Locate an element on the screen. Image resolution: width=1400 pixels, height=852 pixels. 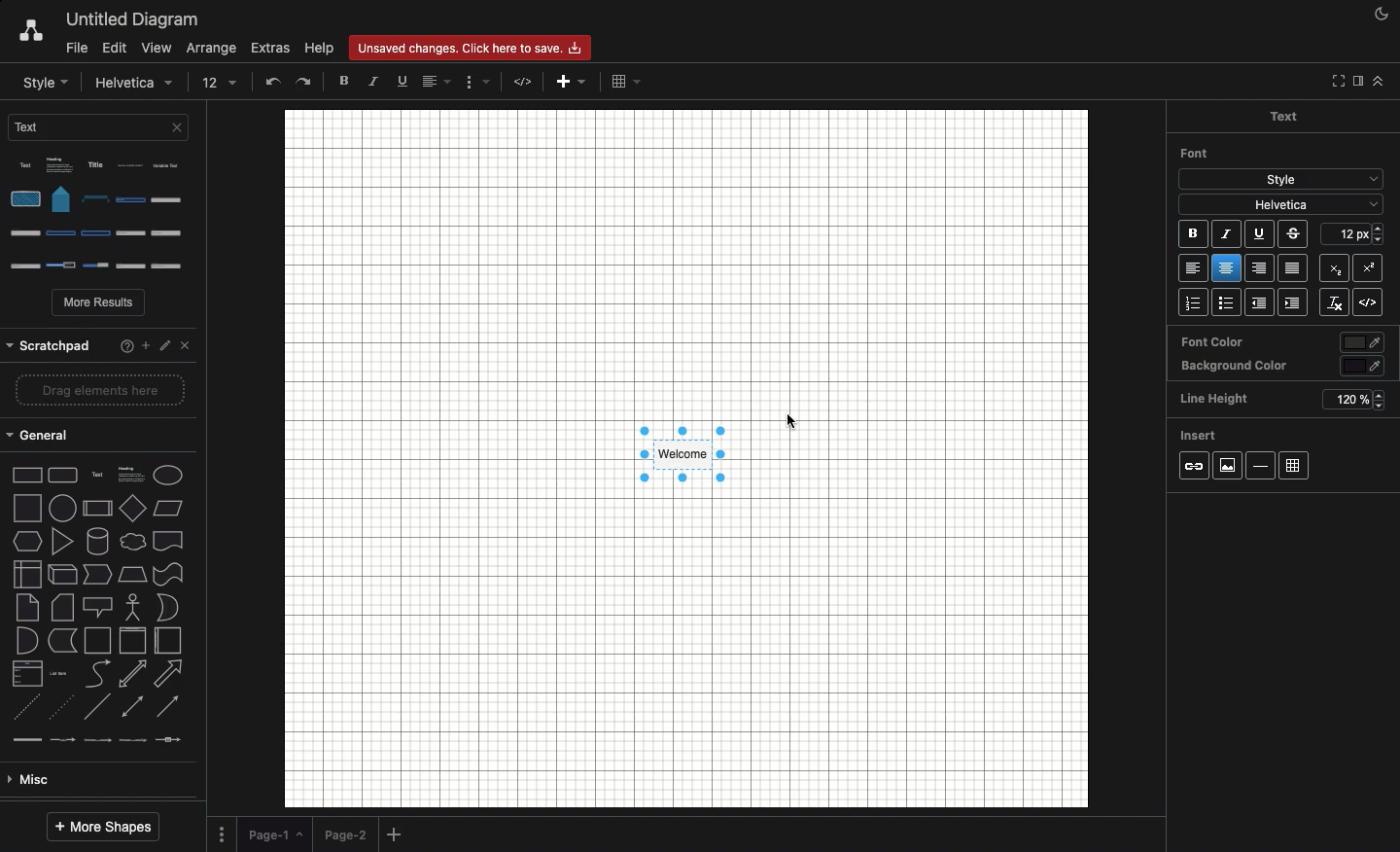
Line height is located at coordinates (1278, 400).